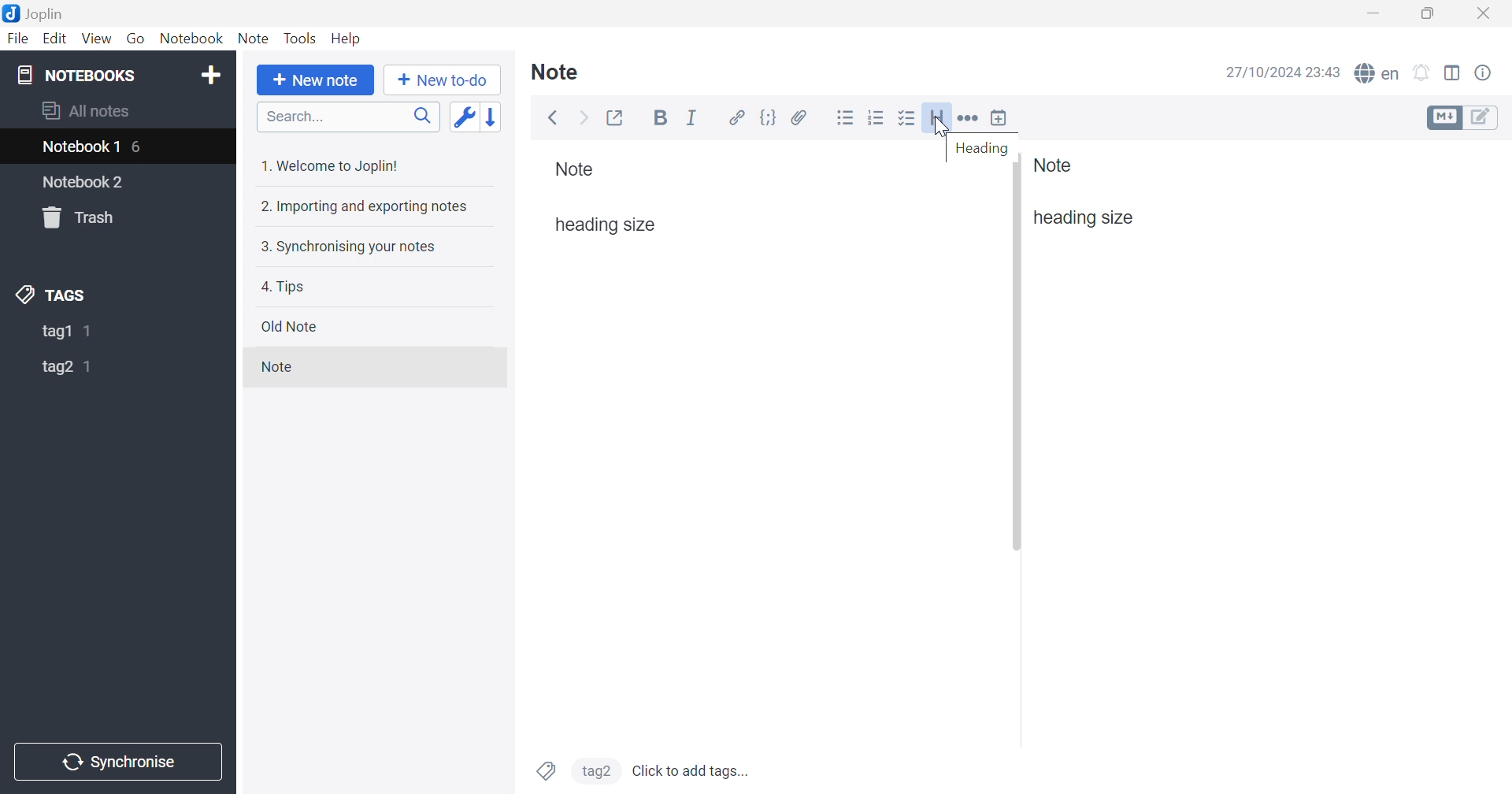  I want to click on Toggle editor layout, so click(1454, 72).